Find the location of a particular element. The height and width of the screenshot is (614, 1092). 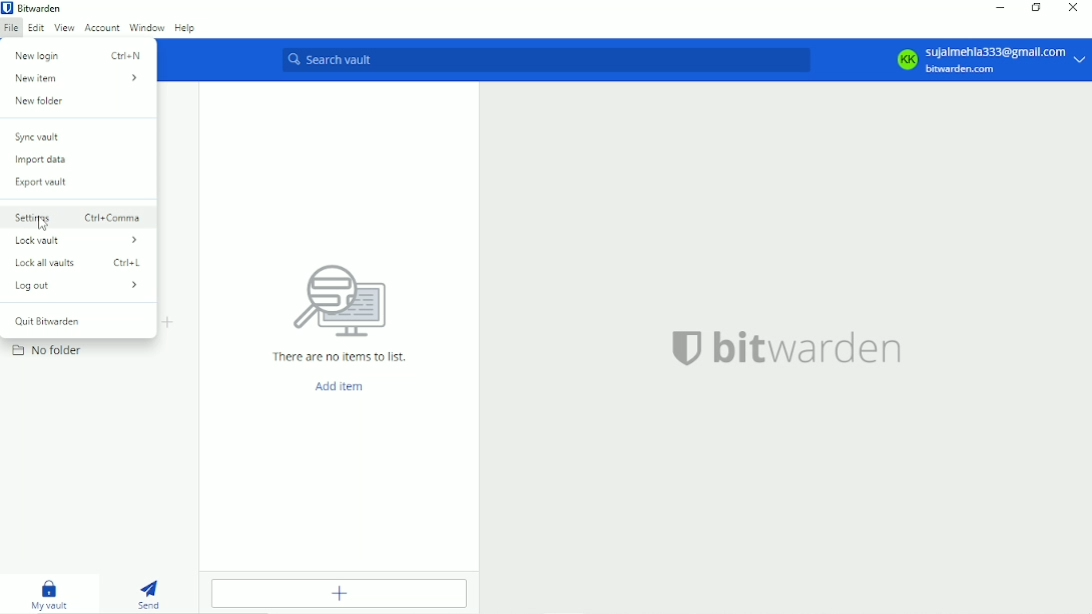

Log out is located at coordinates (77, 286).